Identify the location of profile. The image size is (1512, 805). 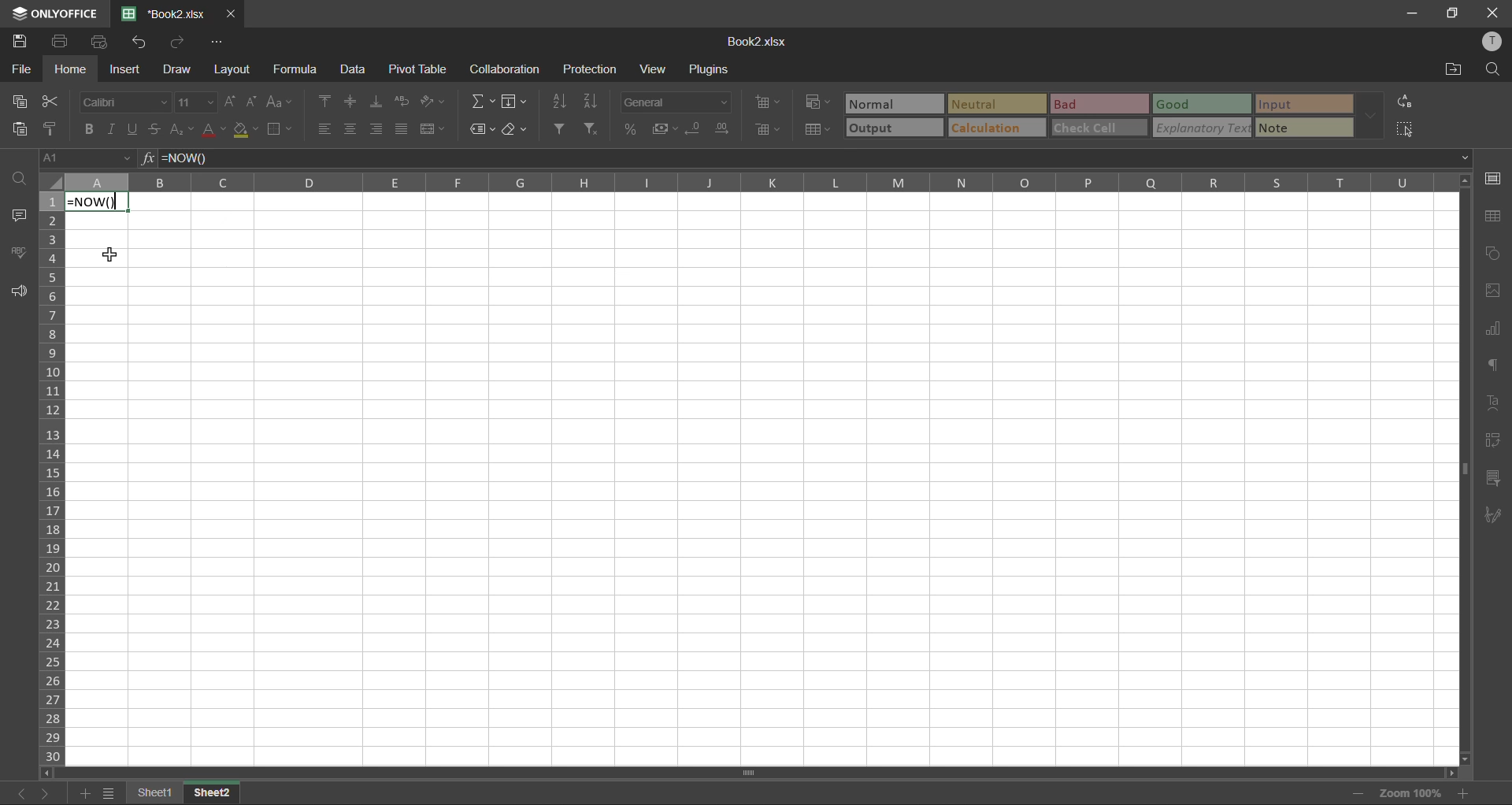
(1495, 43).